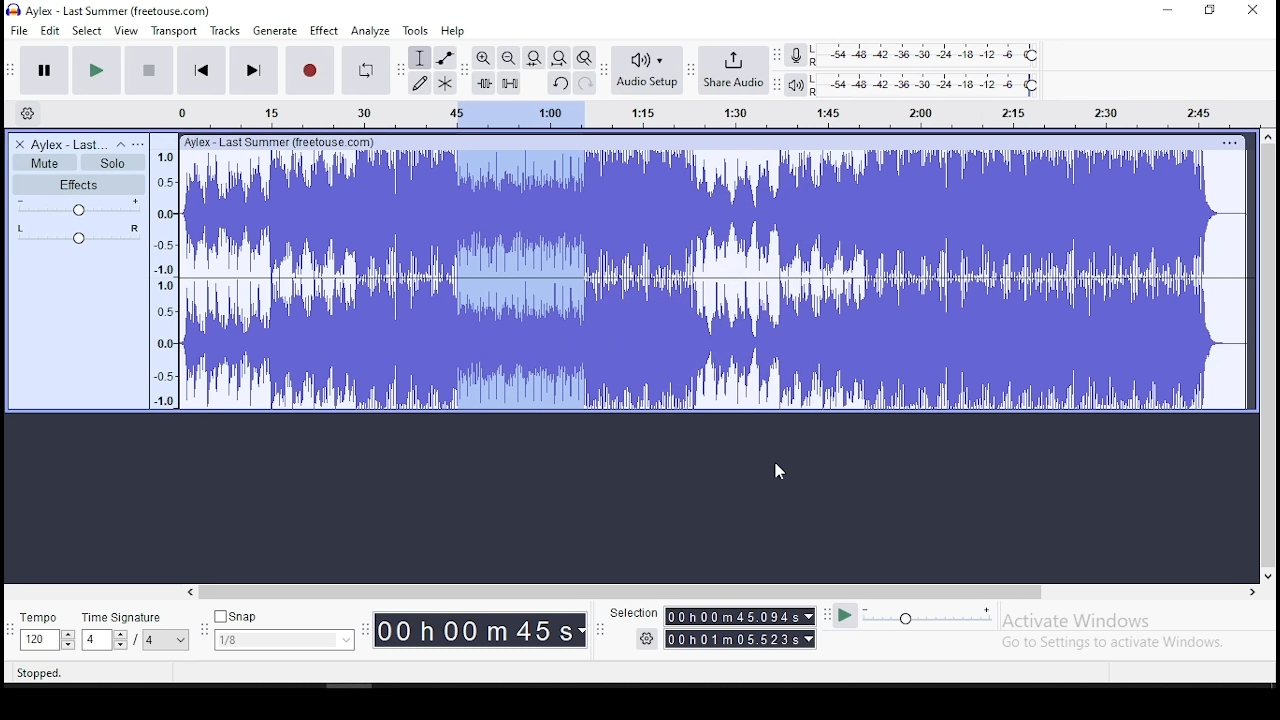  What do you see at coordinates (312, 70) in the screenshot?
I see `record` at bounding box center [312, 70].